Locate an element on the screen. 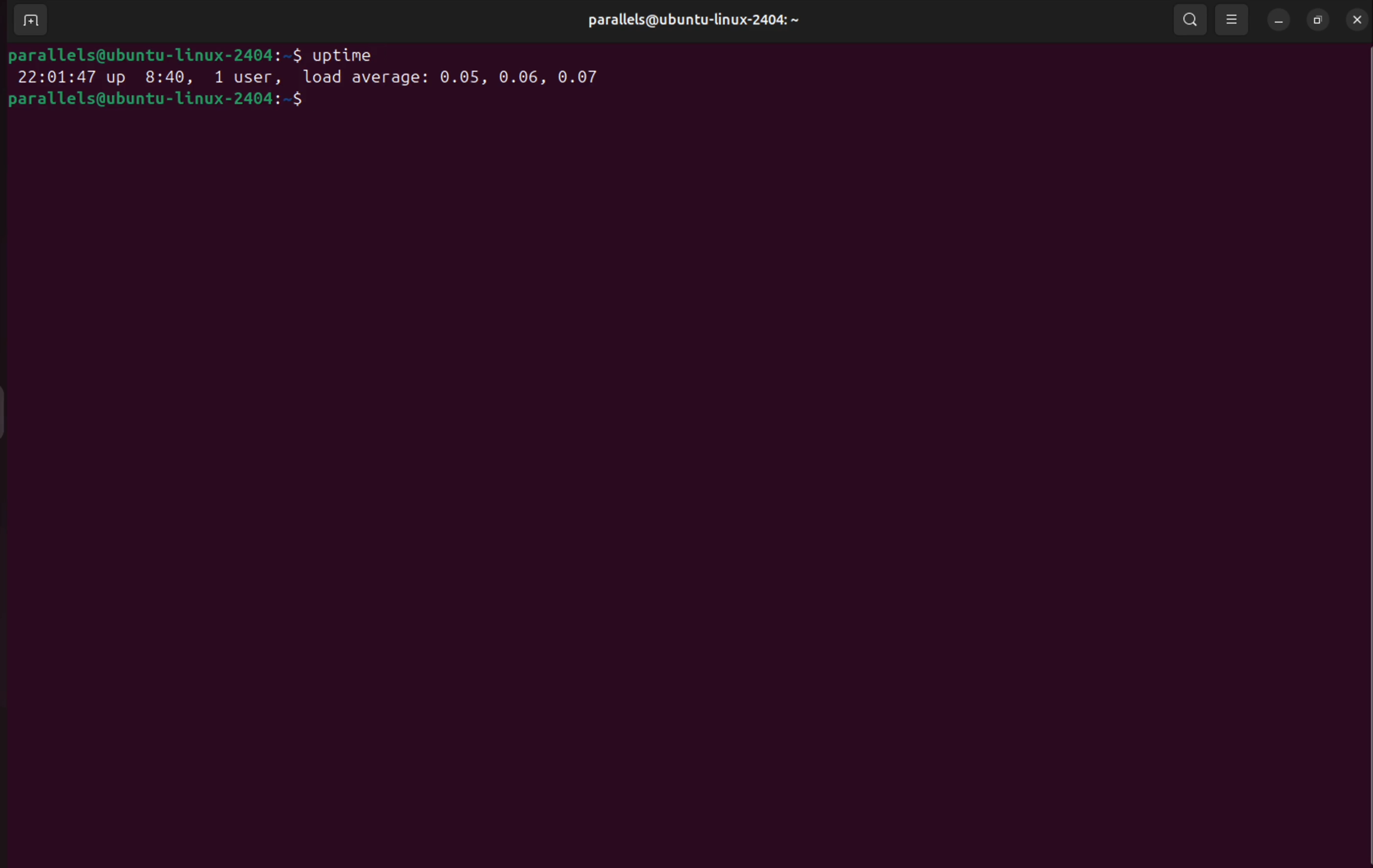  parallels@ubuntu-linux-2404: ~ is located at coordinates (700, 26).